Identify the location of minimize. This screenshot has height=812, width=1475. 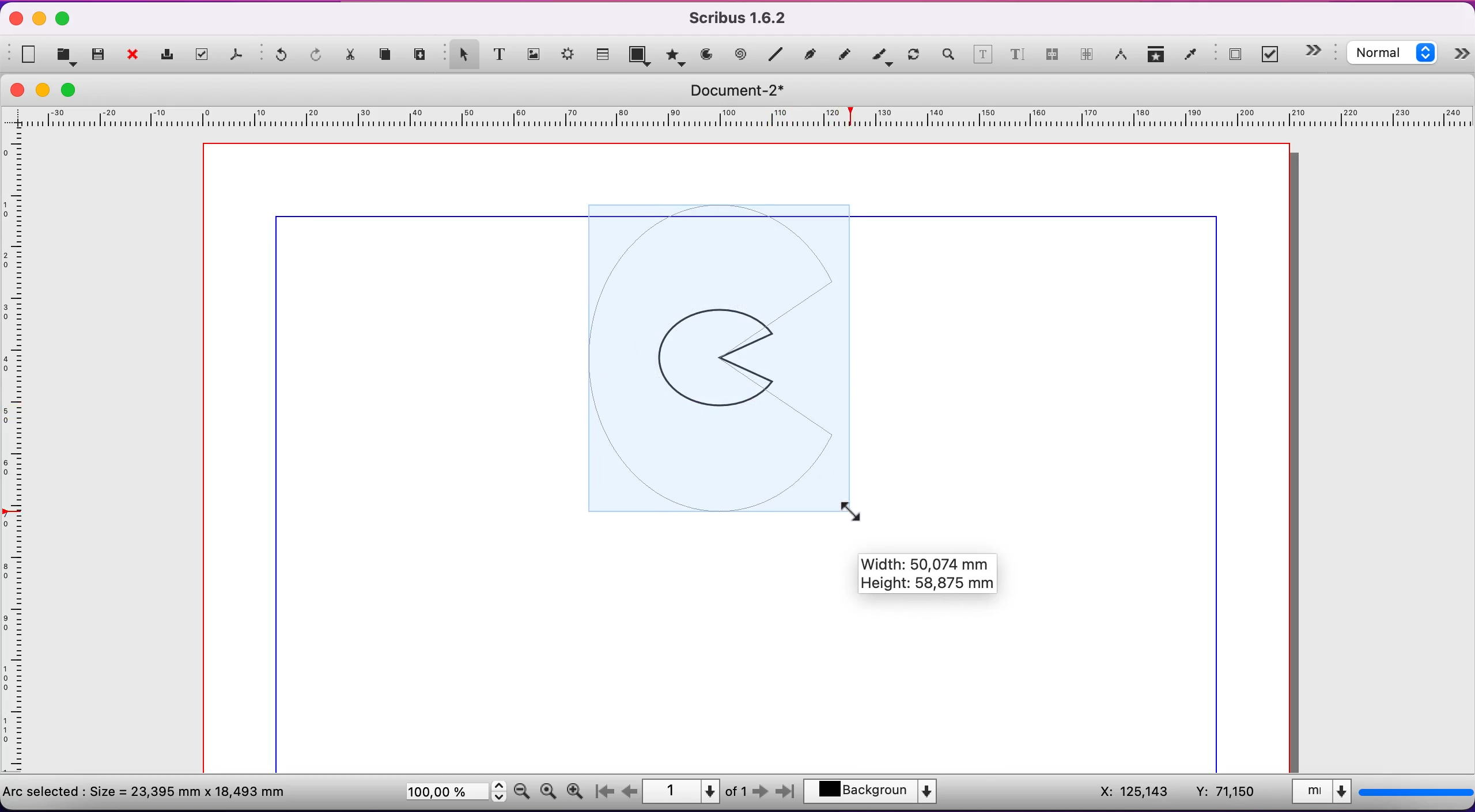
(40, 18).